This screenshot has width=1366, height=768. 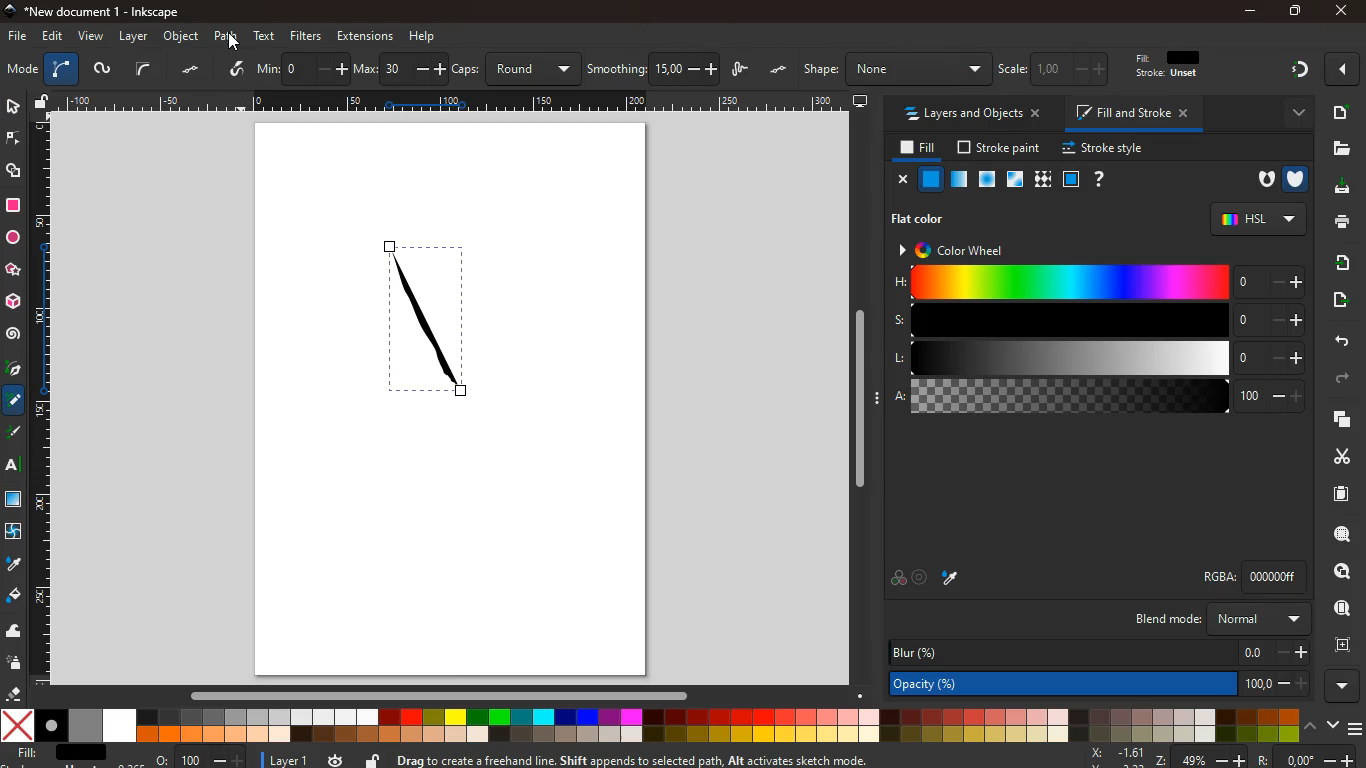 I want to click on imaage, so click(x=15, y=501).